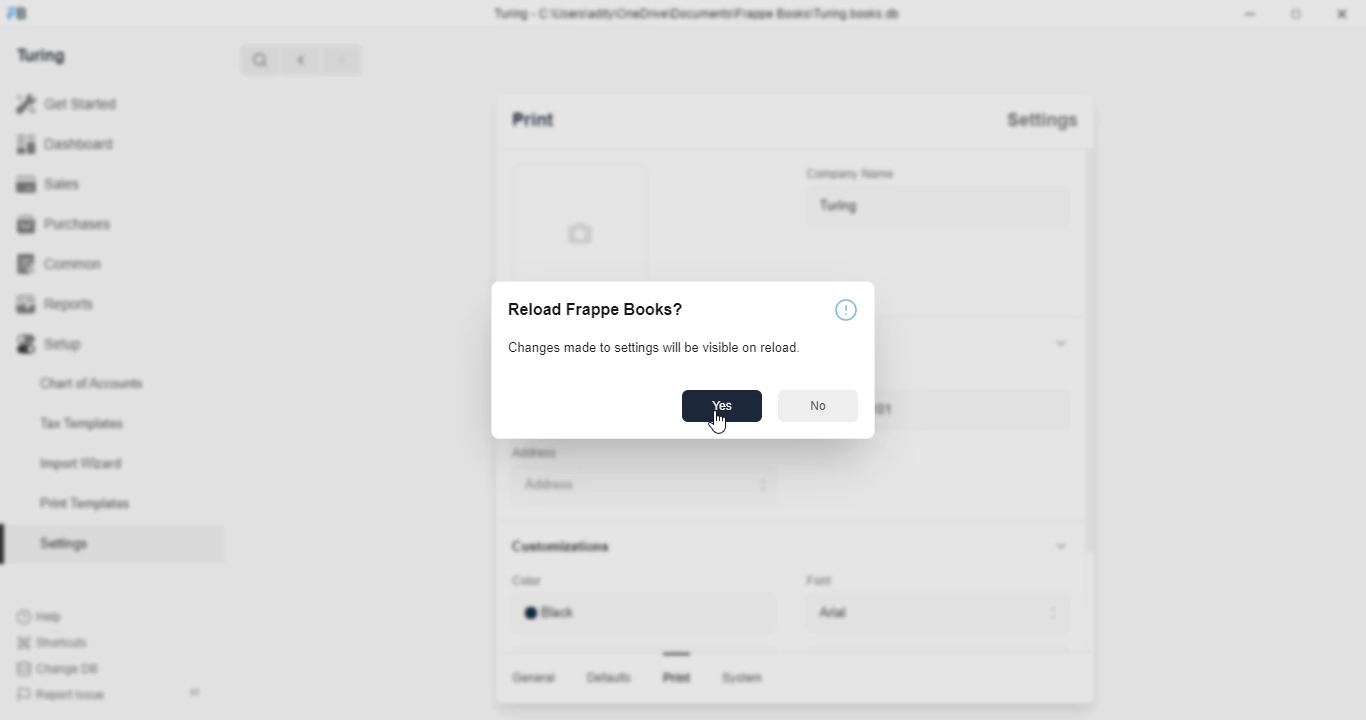 This screenshot has width=1366, height=720. I want to click on Address, so click(538, 452).